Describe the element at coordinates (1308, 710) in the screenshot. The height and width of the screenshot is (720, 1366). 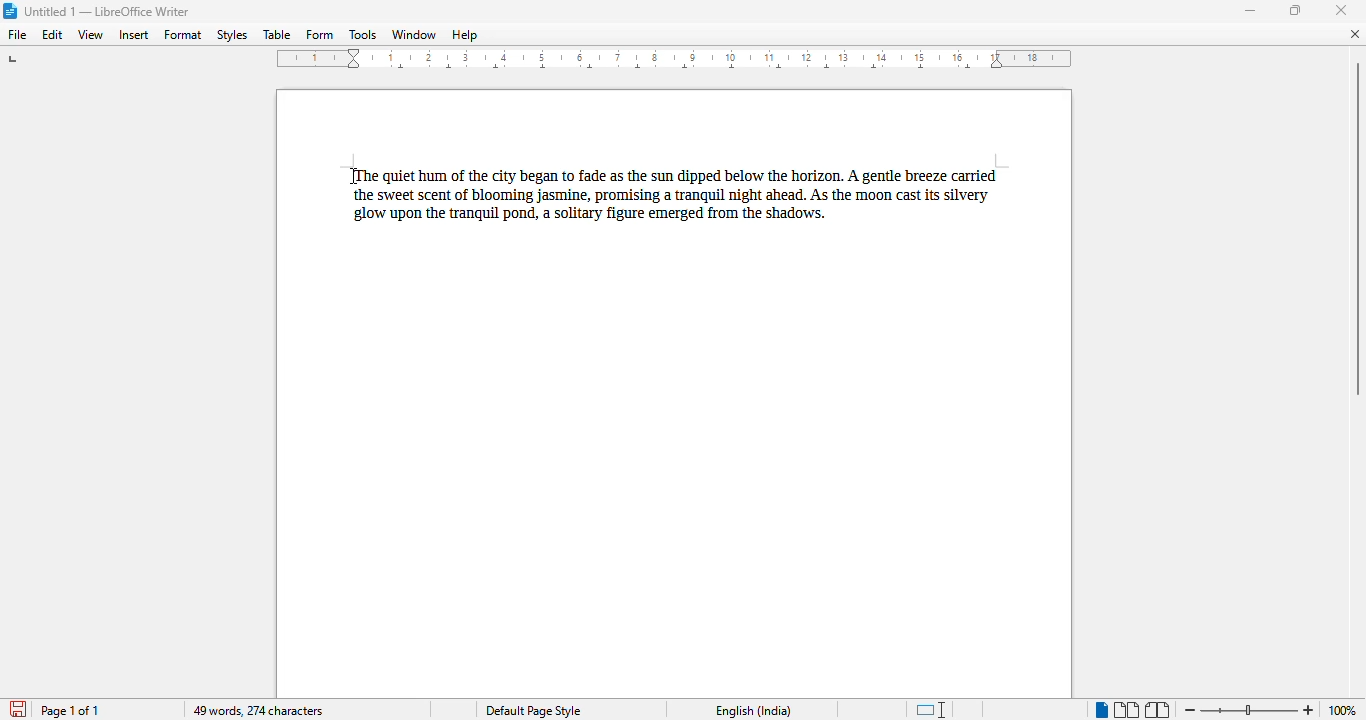
I see `zoom in` at that location.